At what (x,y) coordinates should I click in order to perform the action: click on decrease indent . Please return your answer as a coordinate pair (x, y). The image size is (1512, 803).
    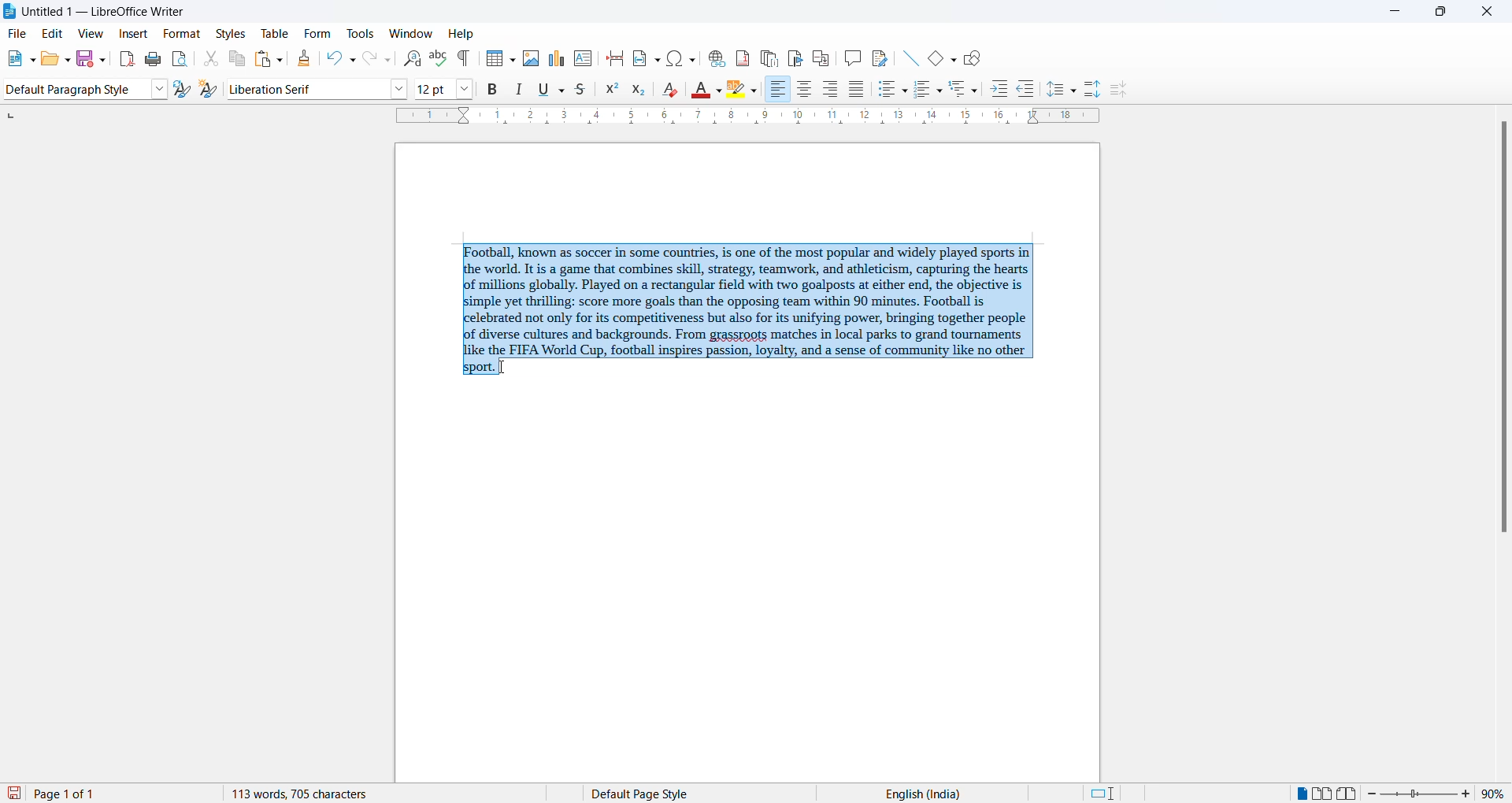
    Looking at the image, I should click on (1027, 88).